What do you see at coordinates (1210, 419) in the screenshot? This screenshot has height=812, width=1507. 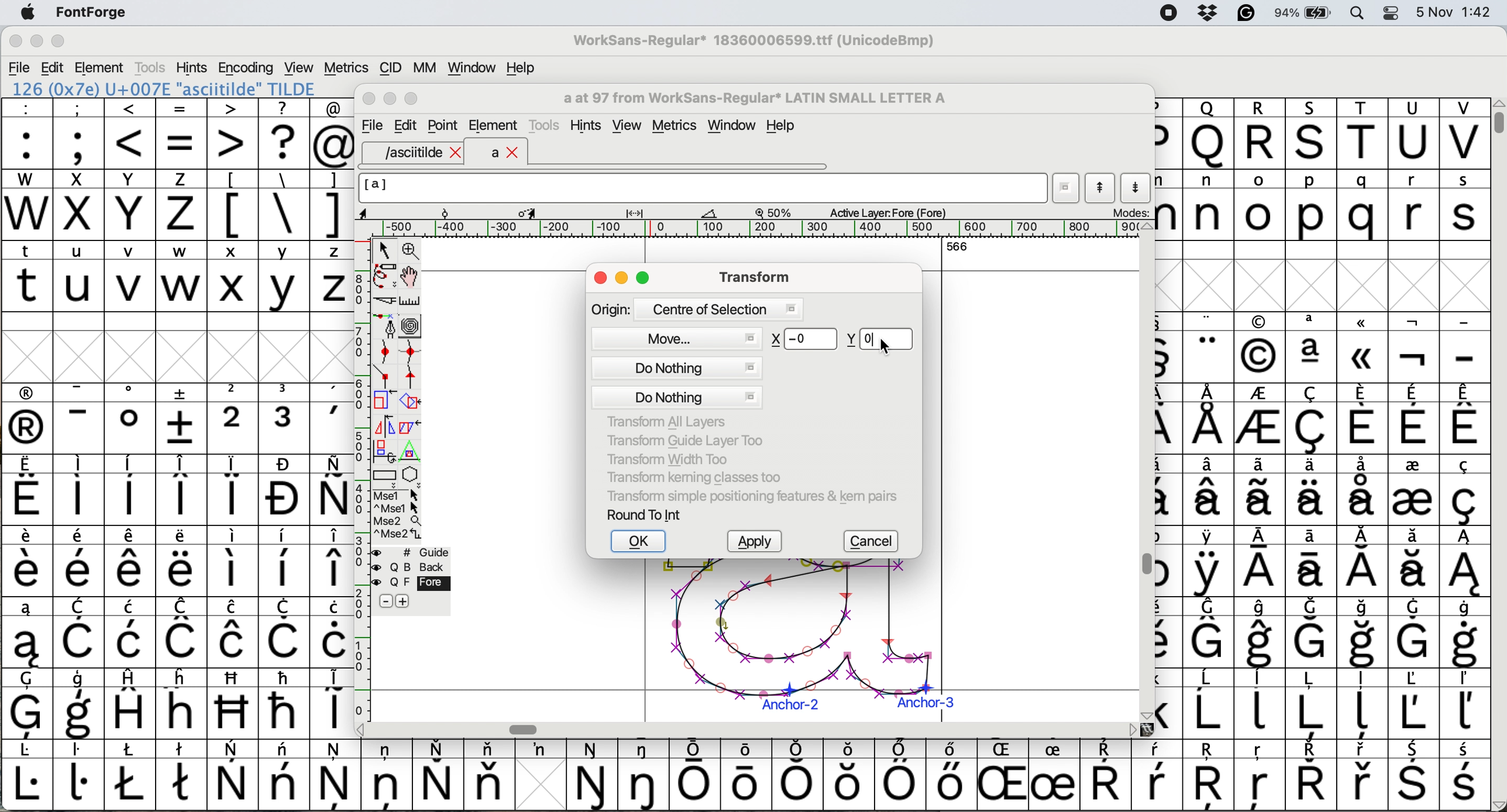 I see `symbol` at bounding box center [1210, 419].